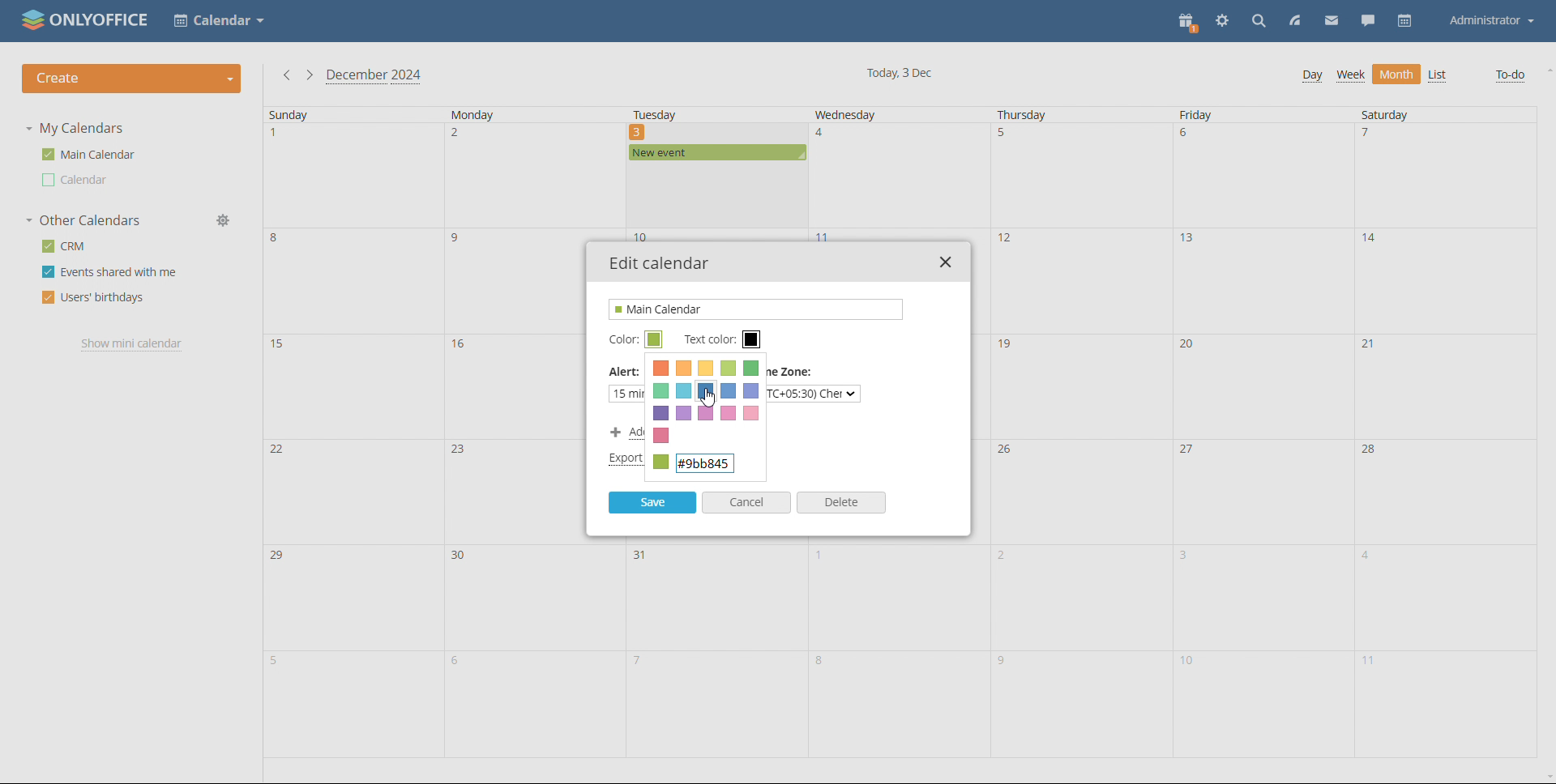  I want to click on date, so click(714, 198).